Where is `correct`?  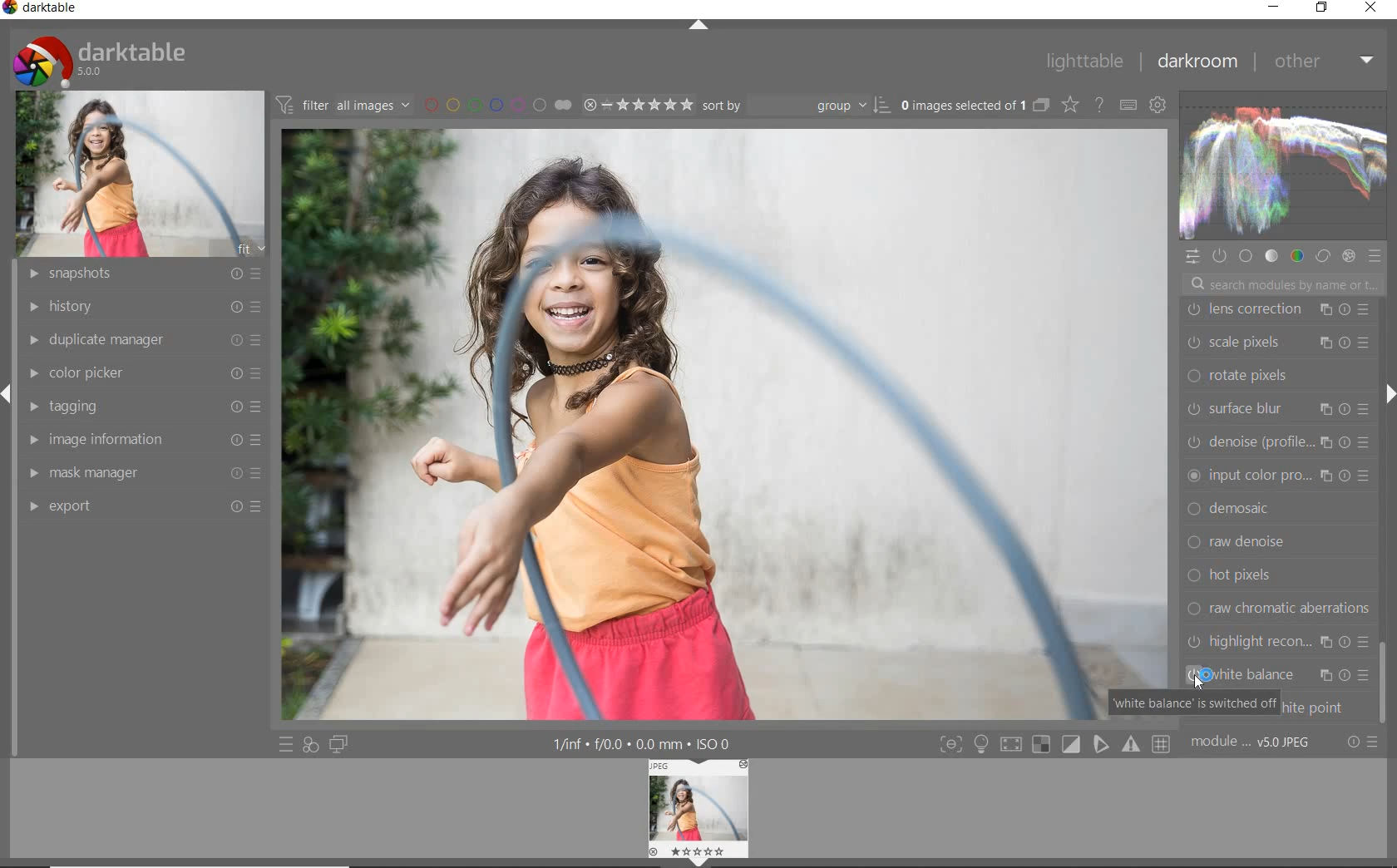 correct is located at coordinates (1322, 254).